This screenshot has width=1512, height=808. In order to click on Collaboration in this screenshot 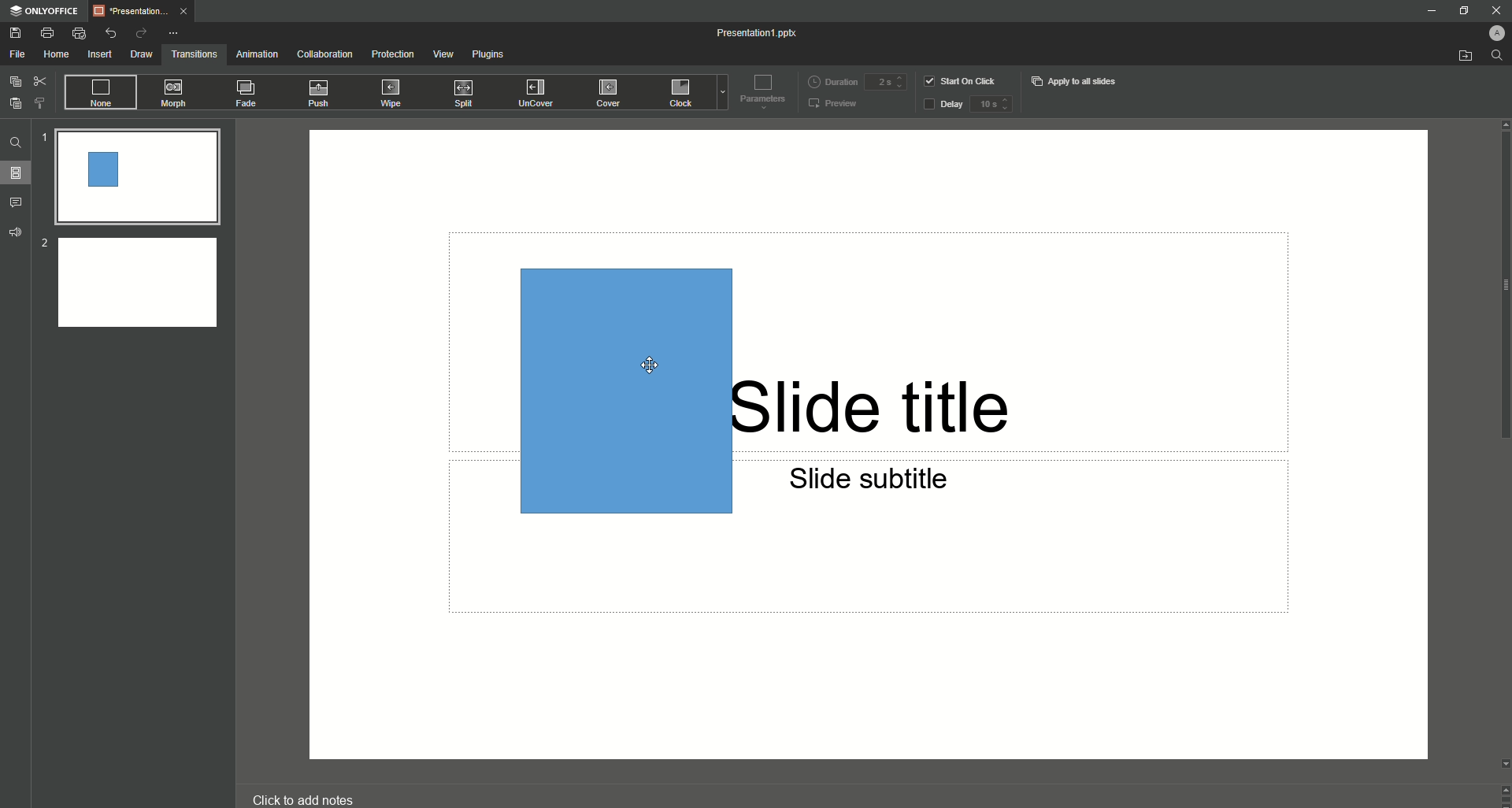, I will do `click(324, 52)`.